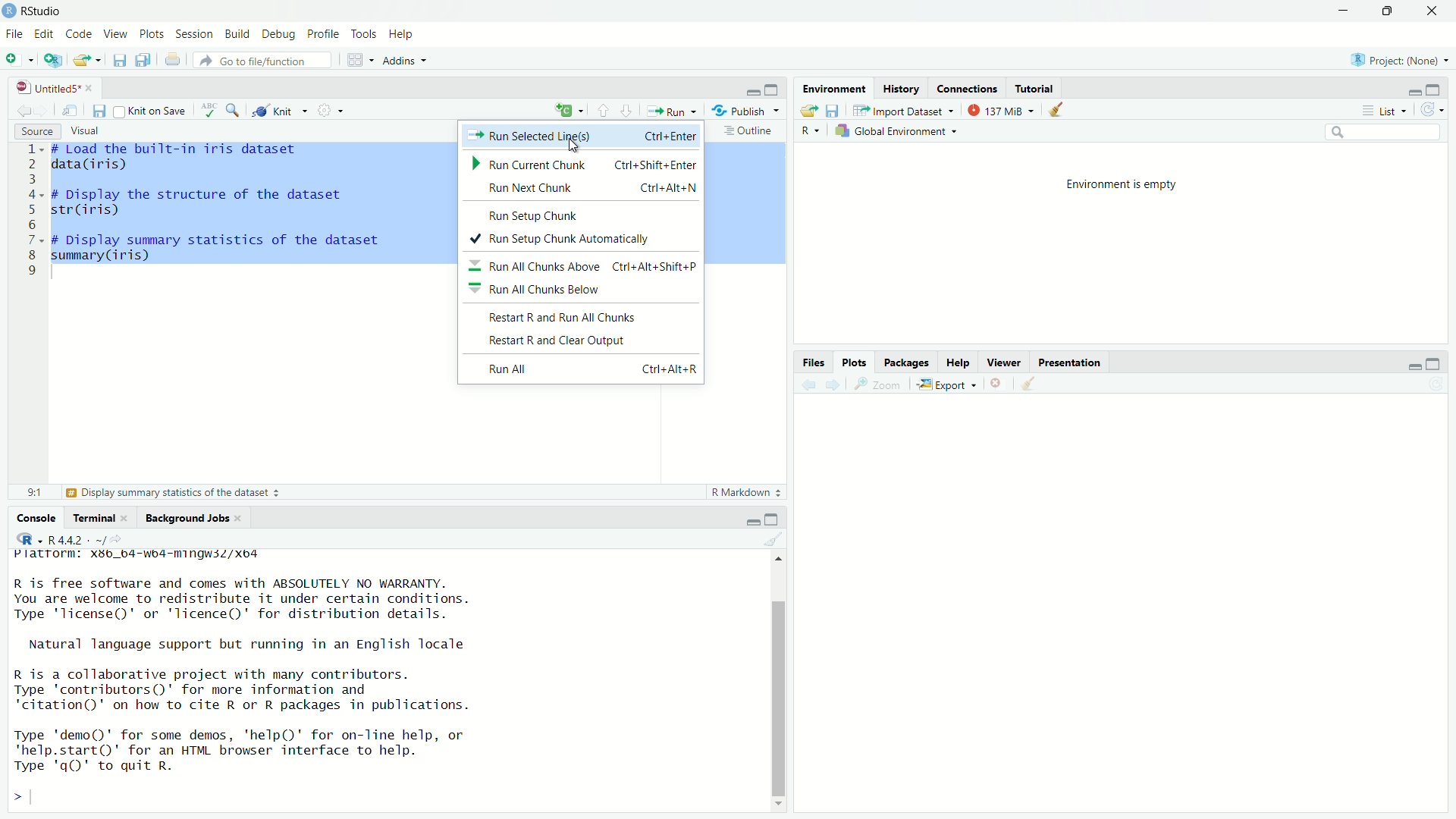  I want to click on Search, so click(1384, 131).